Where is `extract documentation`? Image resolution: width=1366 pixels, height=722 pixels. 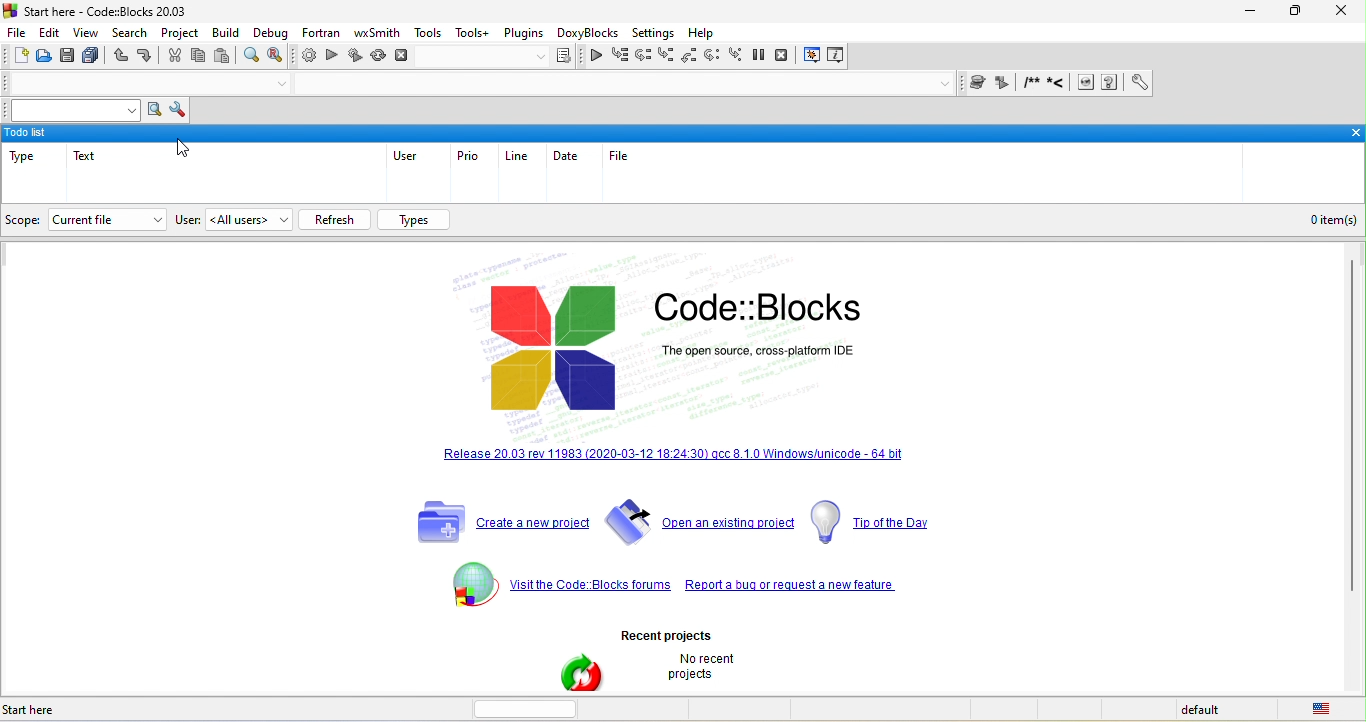 extract documentation is located at coordinates (1004, 84).